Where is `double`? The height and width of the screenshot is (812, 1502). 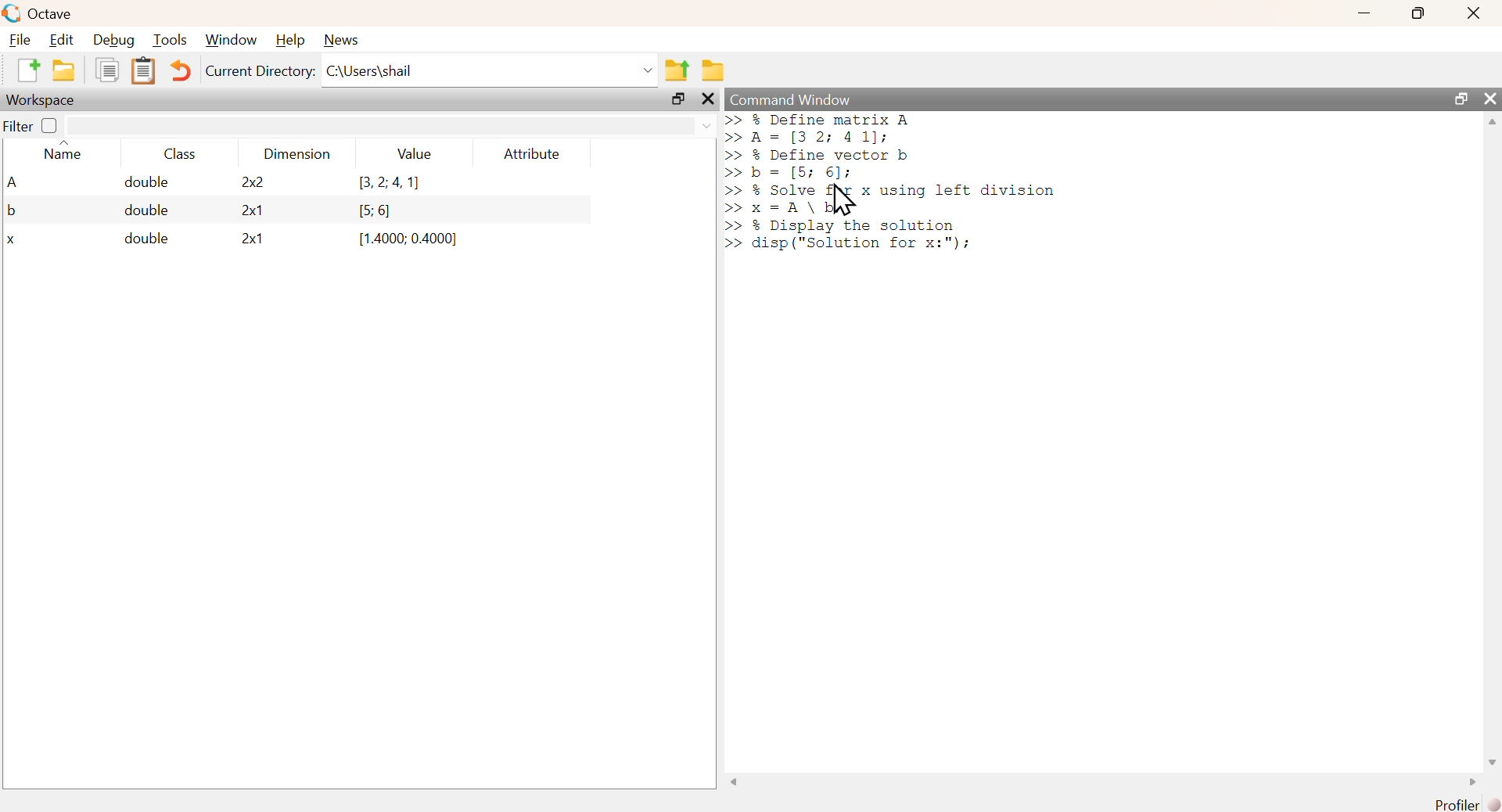
double is located at coordinates (140, 210).